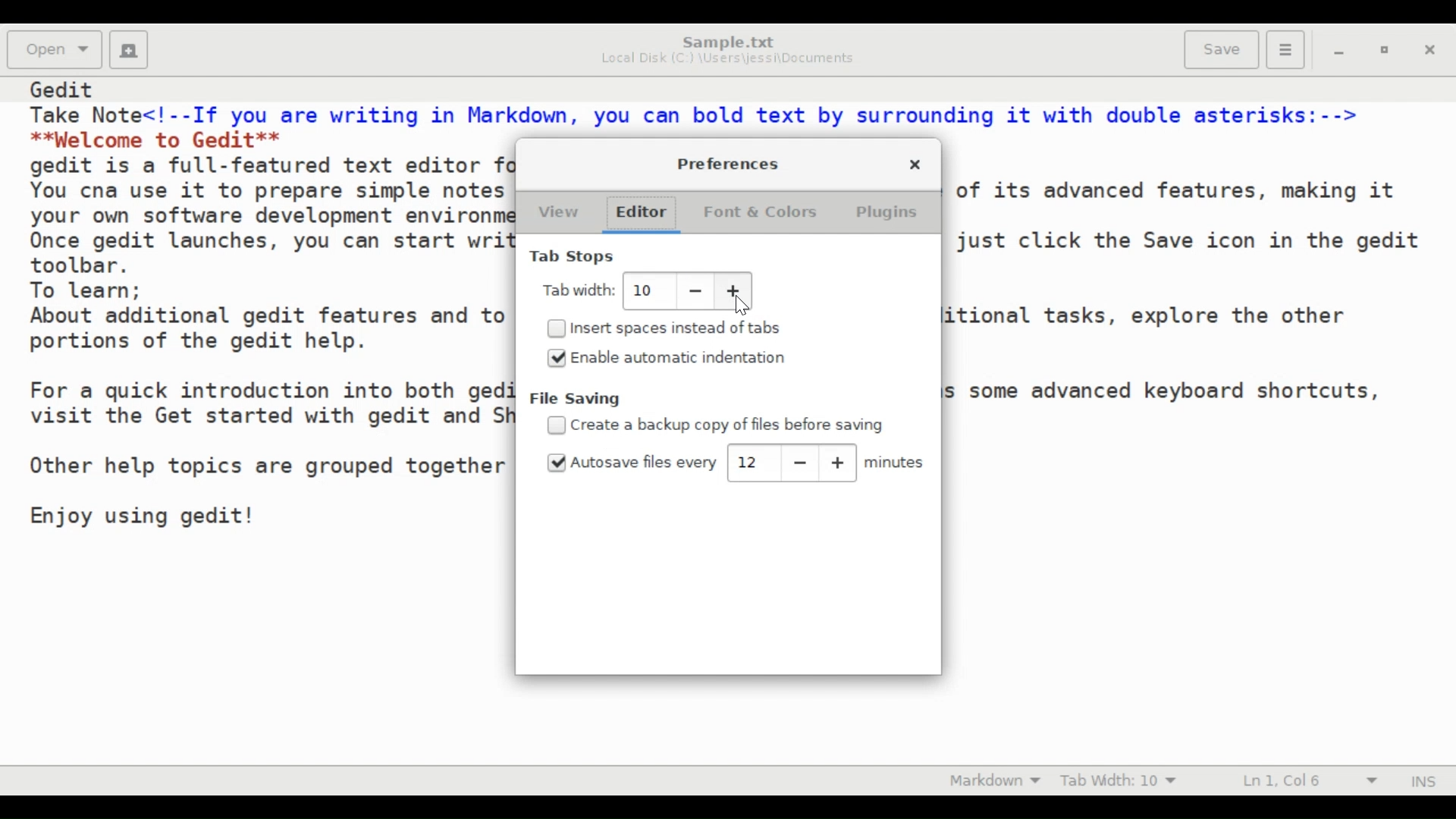 This screenshot has height=819, width=1456. What do you see at coordinates (665, 359) in the screenshot?
I see `(un)select Enable automatic indentation` at bounding box center [665, 359].